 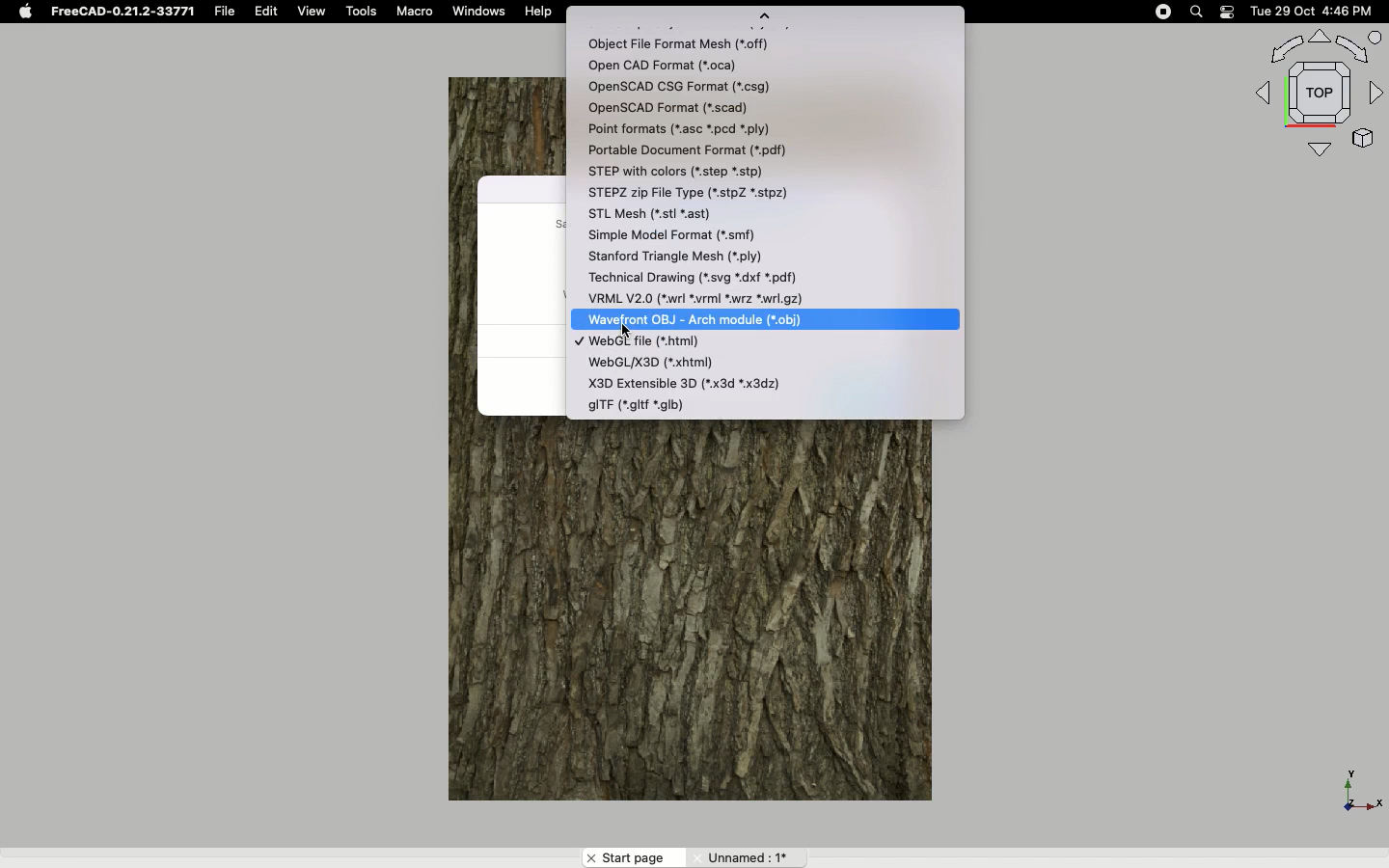 I want to click on Current, so click(x=577, y=341).